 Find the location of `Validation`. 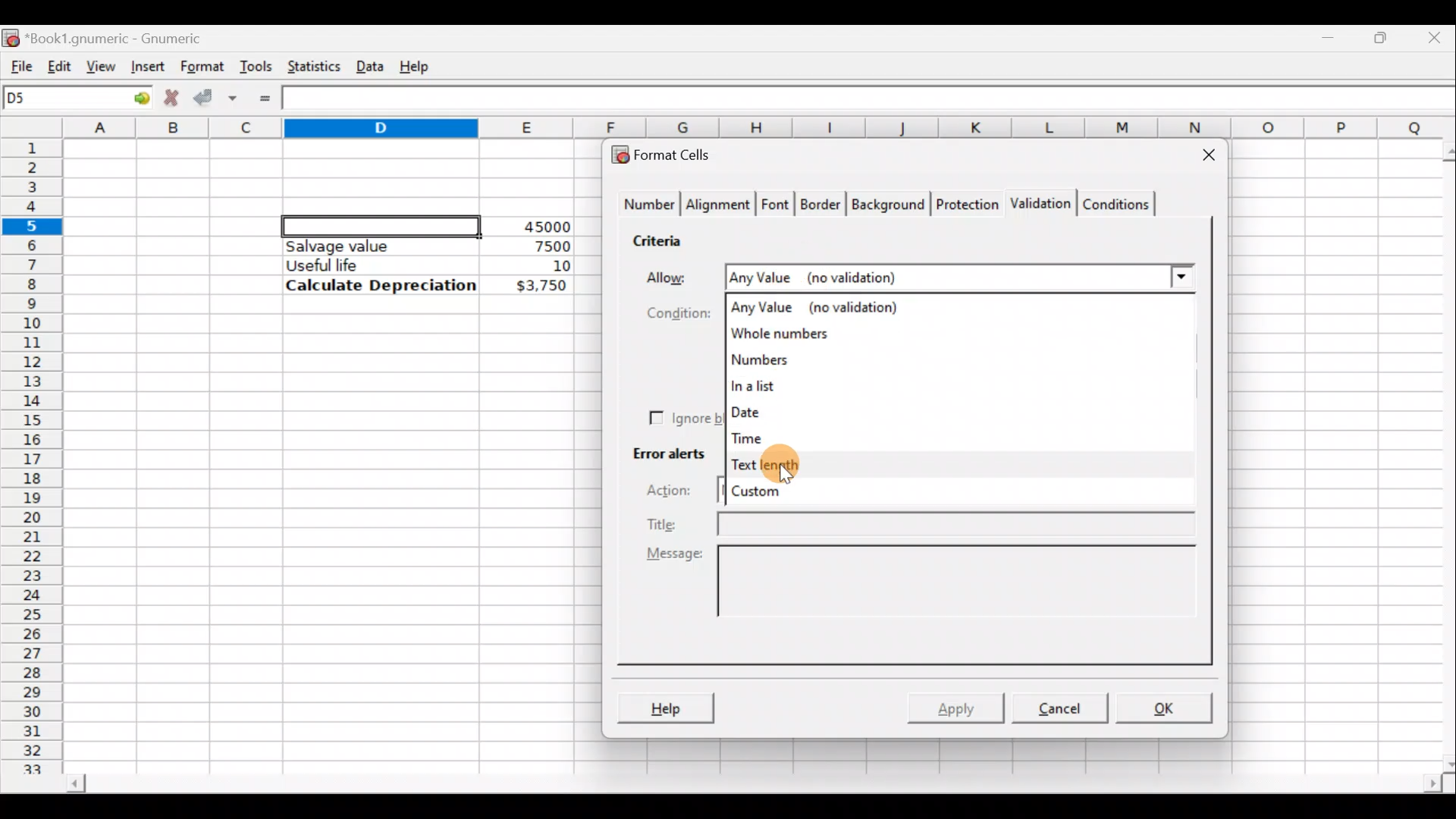

Validation is located at coordinates (1037, 205).